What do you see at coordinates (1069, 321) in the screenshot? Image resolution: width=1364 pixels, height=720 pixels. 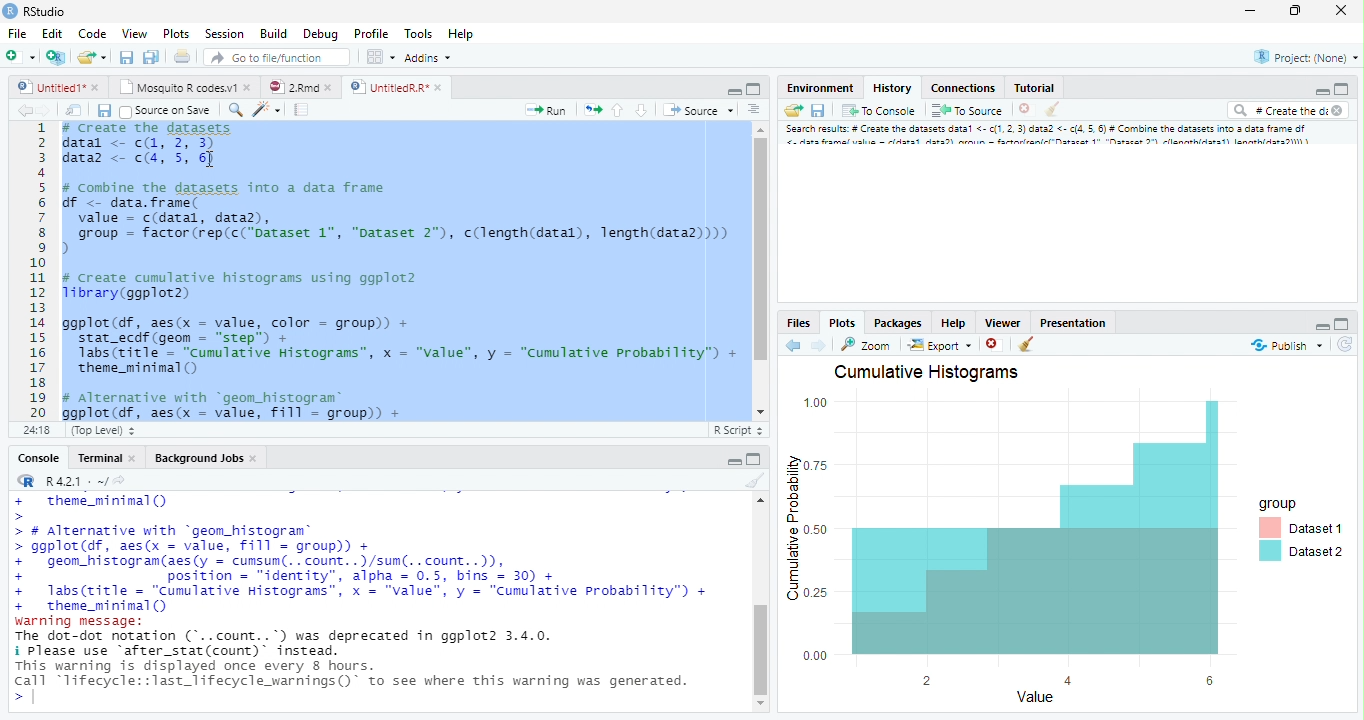 I see `Prsentation` at bounding box center [1069, 321].